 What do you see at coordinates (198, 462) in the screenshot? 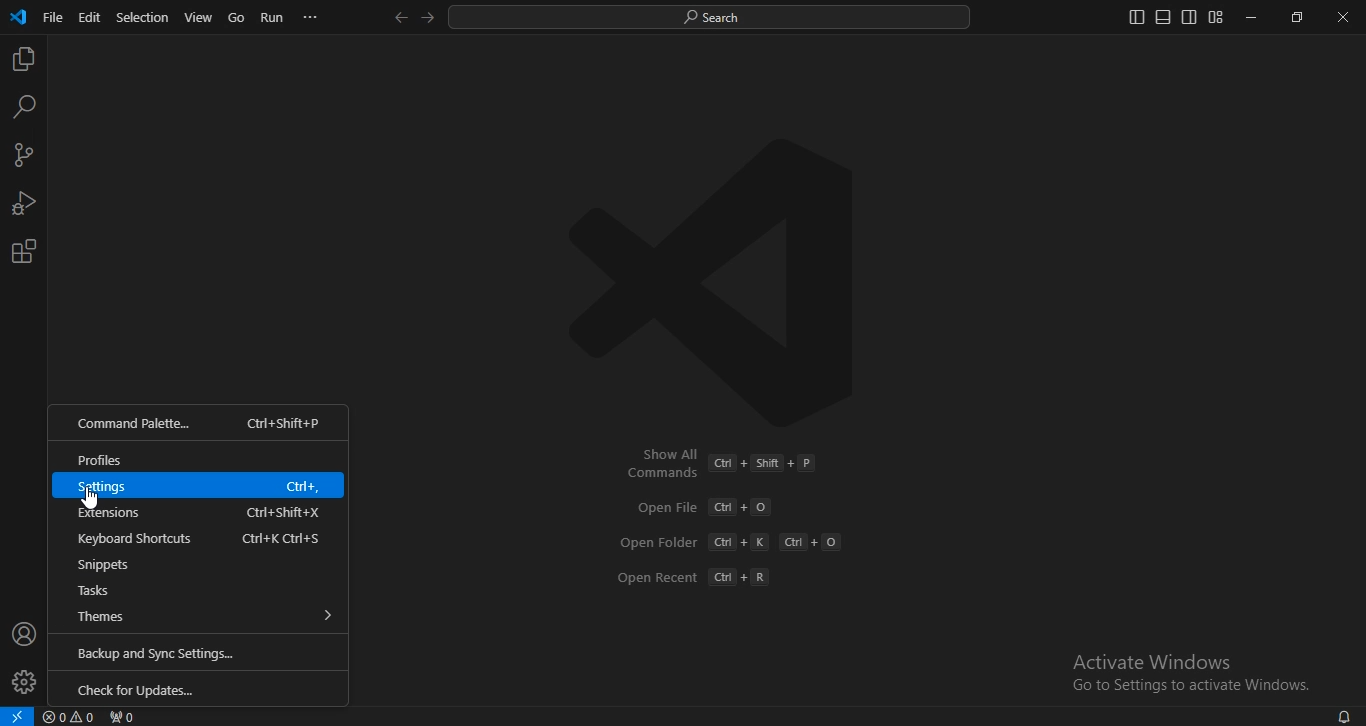
I see `profiles` at bounding box center [198, 462].